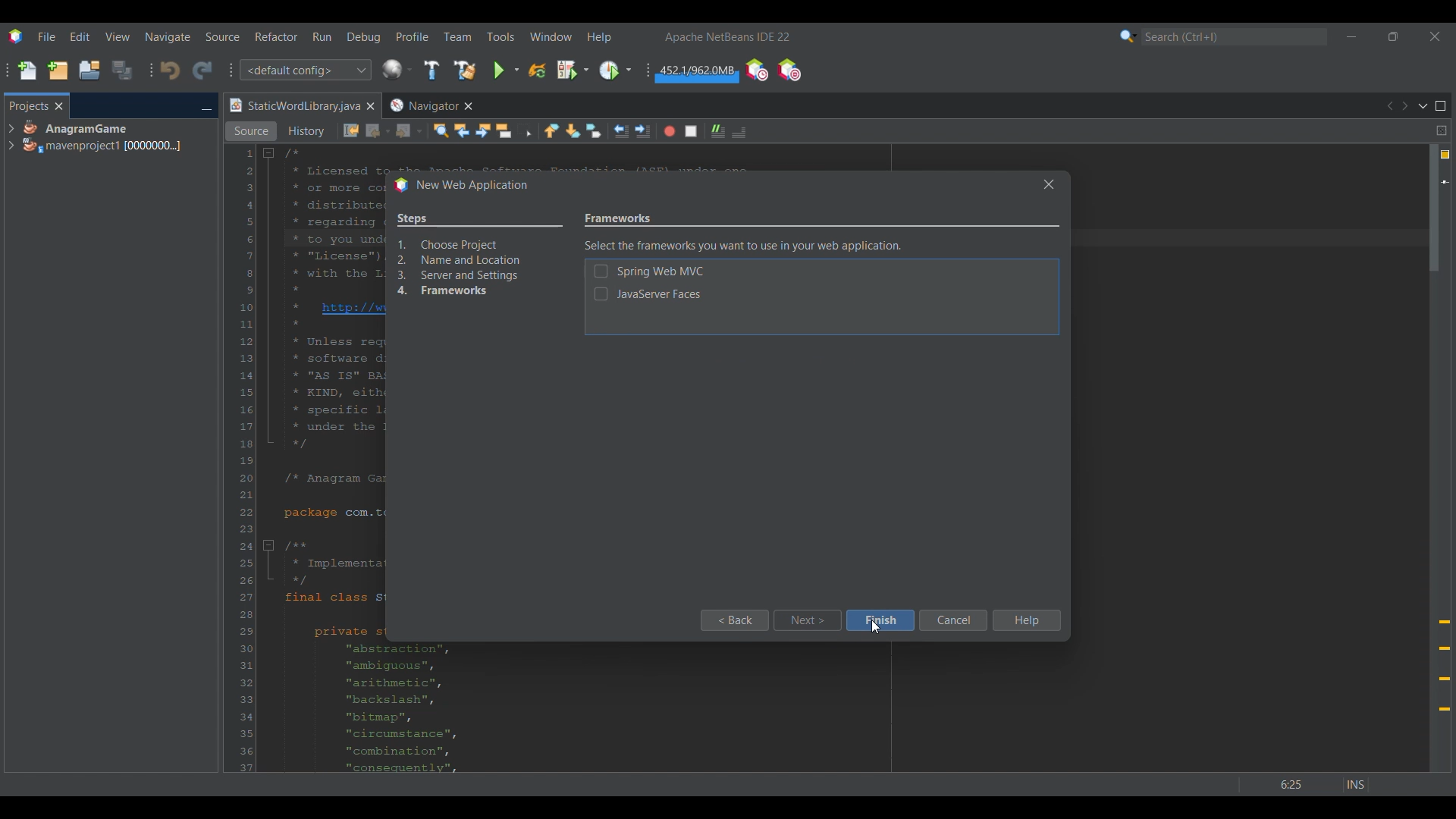 The height and width of the screenshot is (819, 1456). I want to click on Vertical slide bar, so click(1434, 458).